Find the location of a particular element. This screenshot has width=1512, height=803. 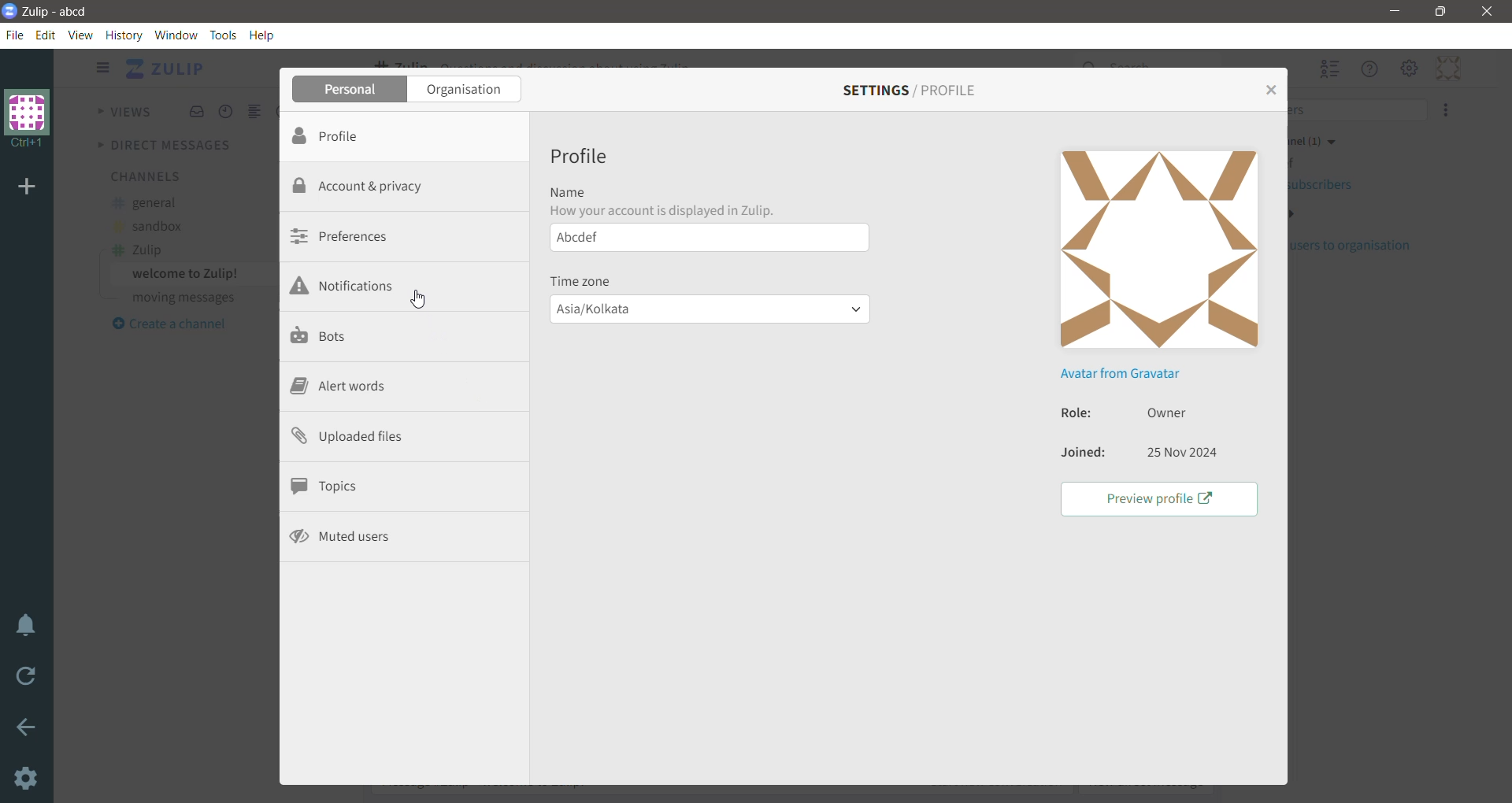

Profile is located at coordinates (350, 136).